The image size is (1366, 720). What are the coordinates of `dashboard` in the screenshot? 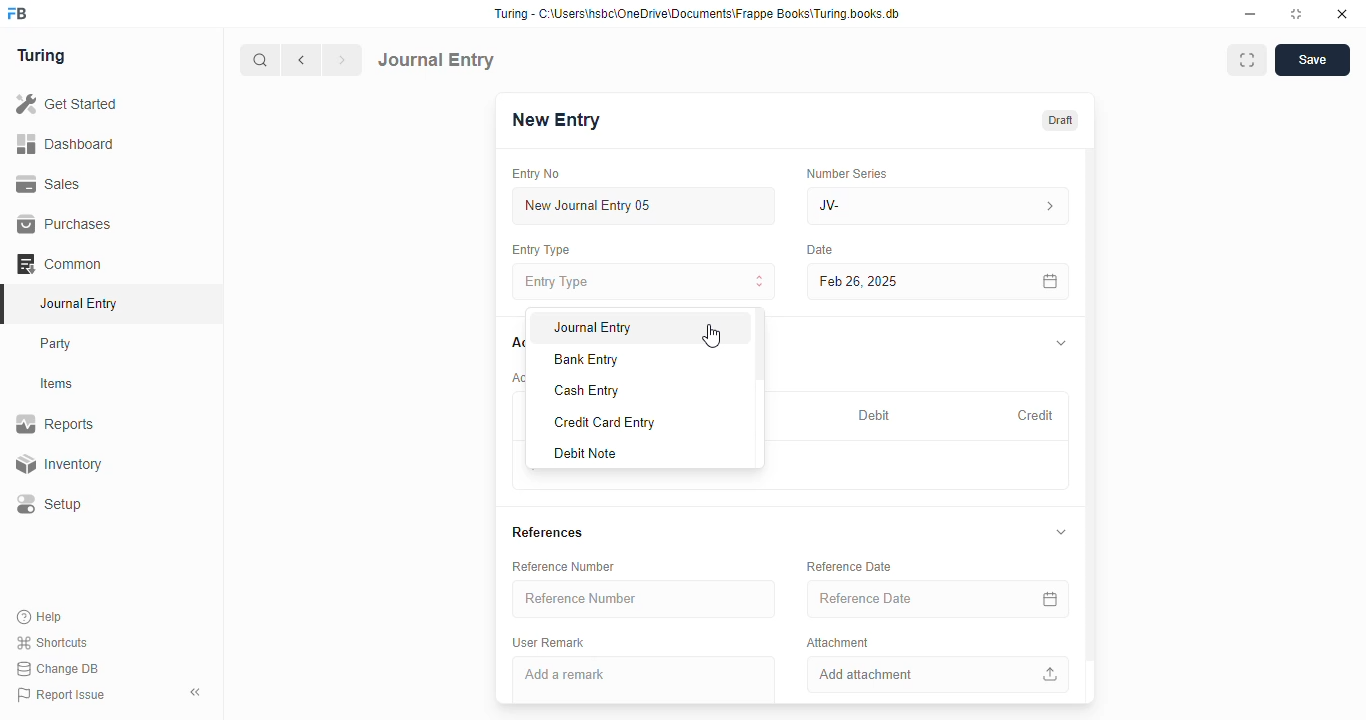 It's located at (66, 143).